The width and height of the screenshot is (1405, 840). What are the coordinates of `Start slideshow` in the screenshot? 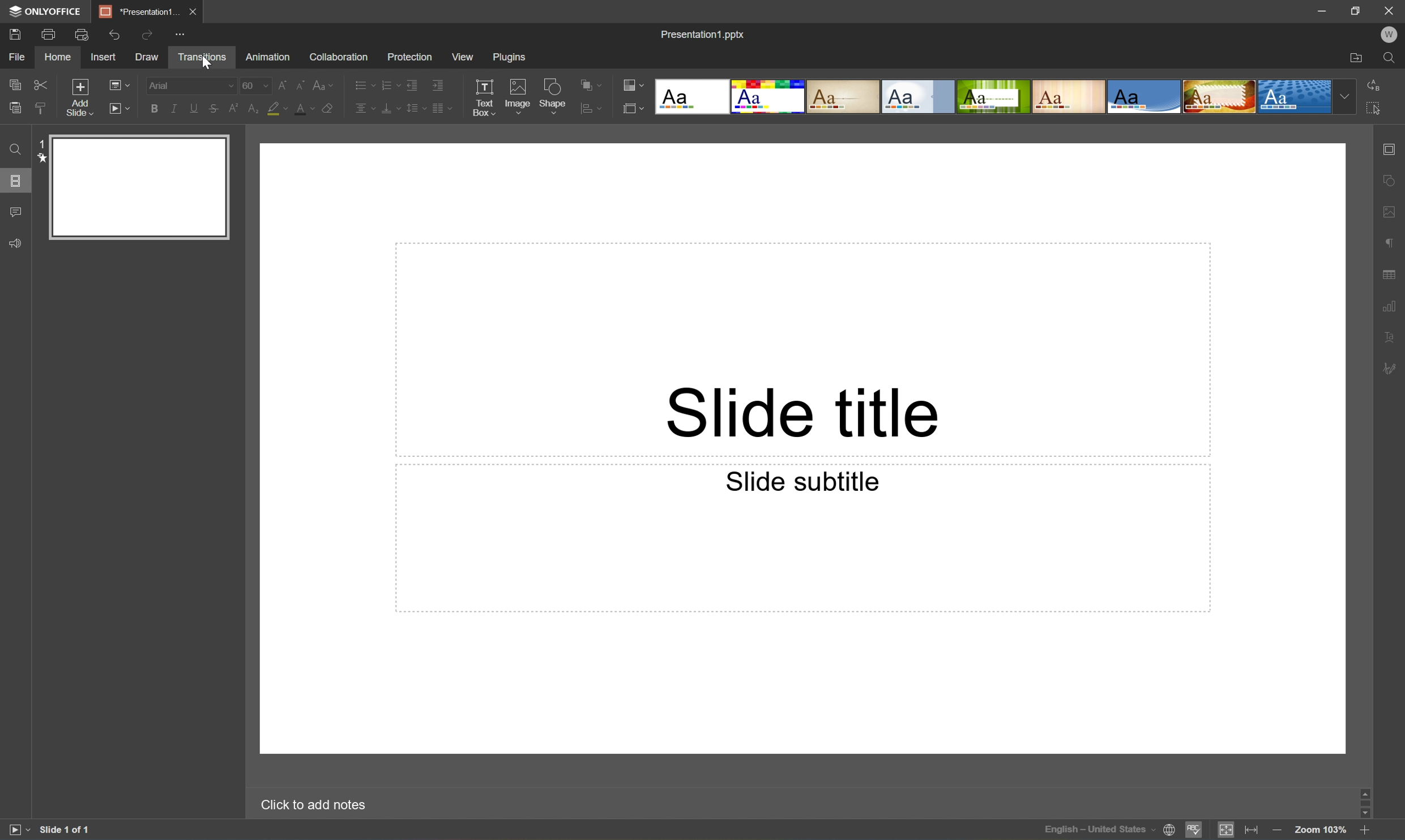 It's located at (121, 109).